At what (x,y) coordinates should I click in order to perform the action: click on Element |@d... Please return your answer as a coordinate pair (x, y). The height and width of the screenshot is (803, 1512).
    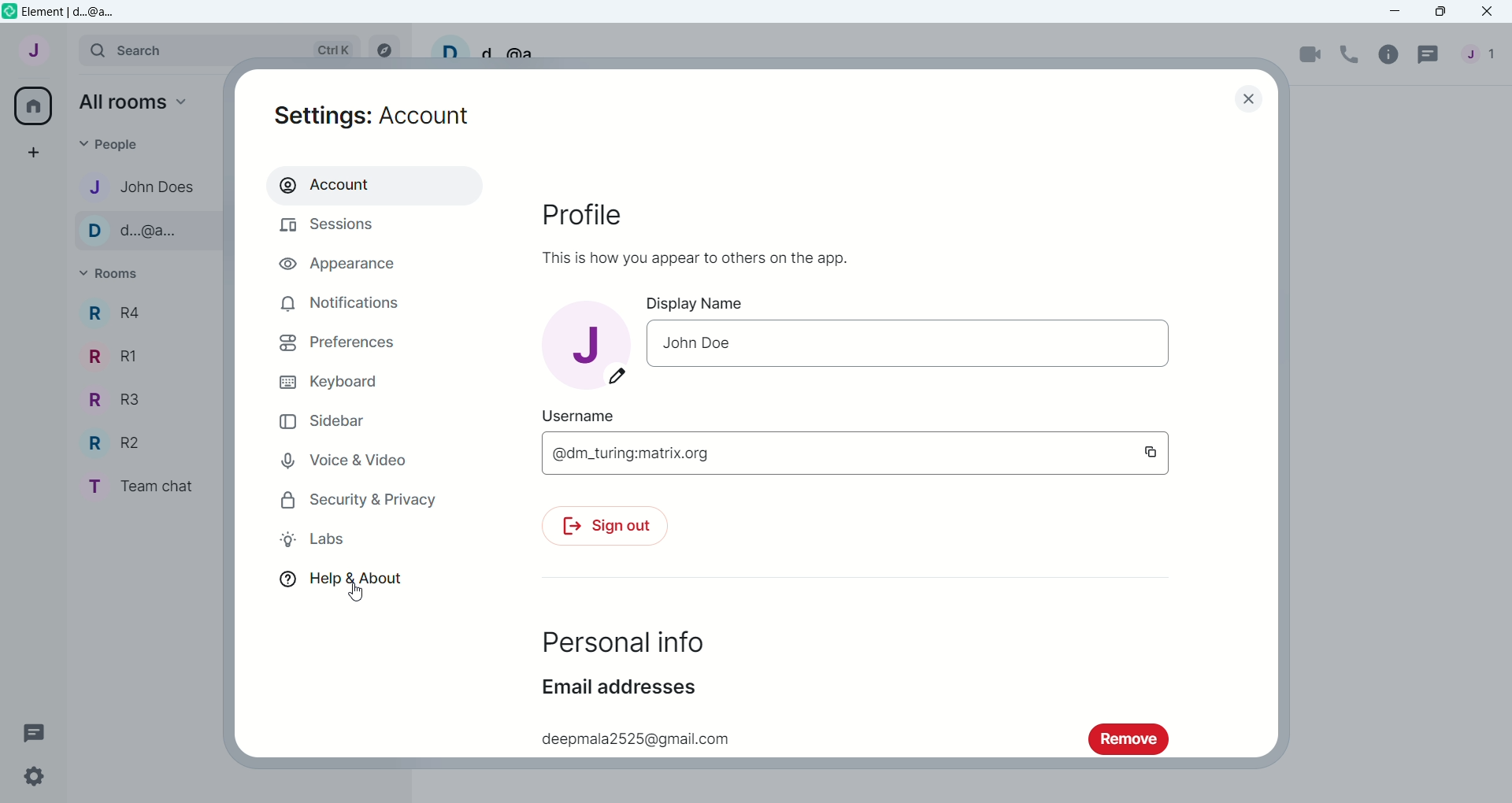
    Looking at the image, I should click on (74, 12).